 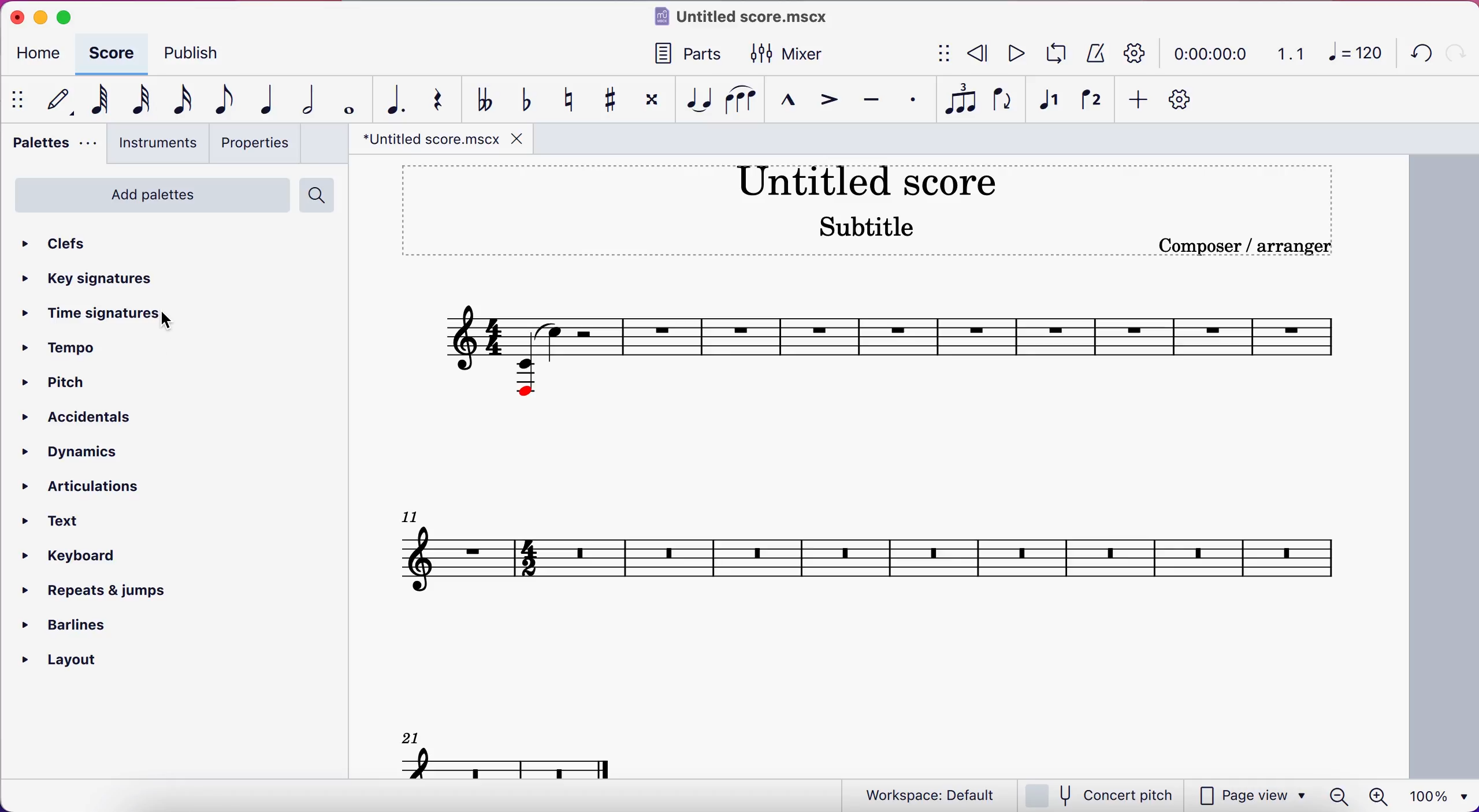 I want to click on mixer, so click(x=789, y=53).